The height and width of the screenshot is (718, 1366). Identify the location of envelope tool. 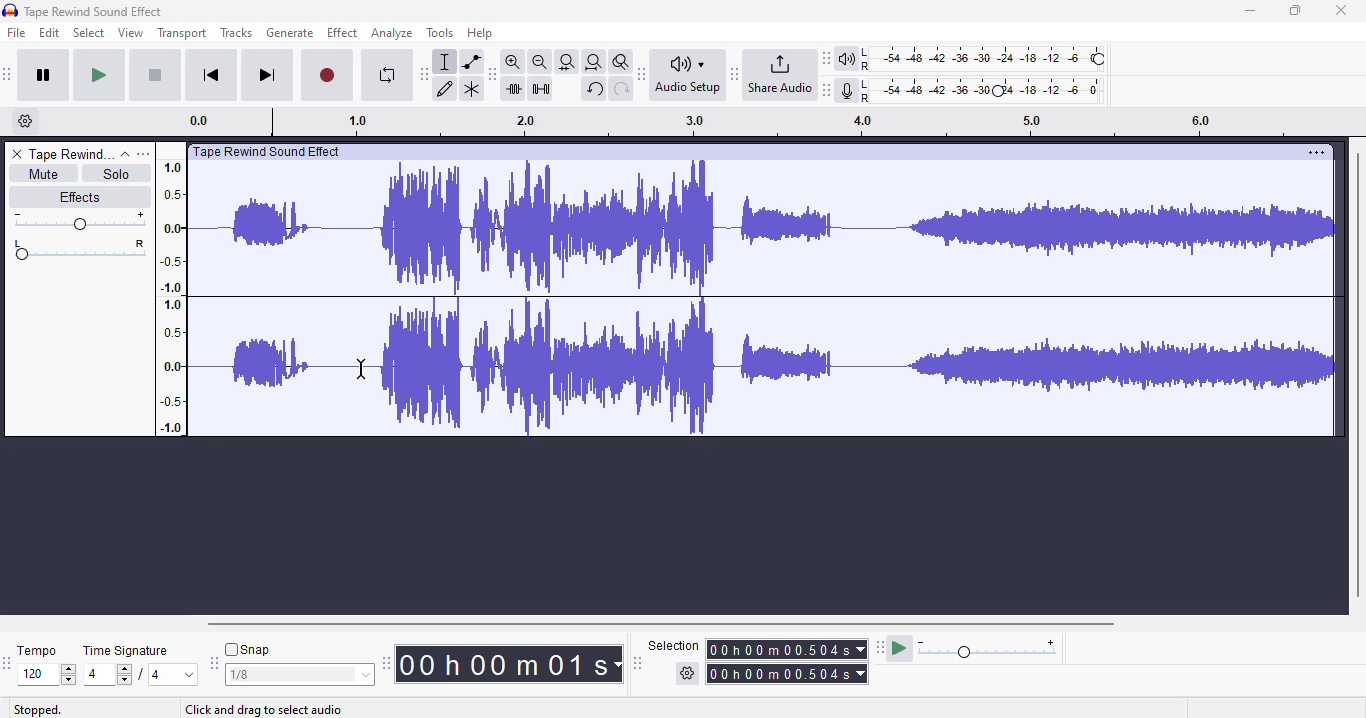
(472, 62).